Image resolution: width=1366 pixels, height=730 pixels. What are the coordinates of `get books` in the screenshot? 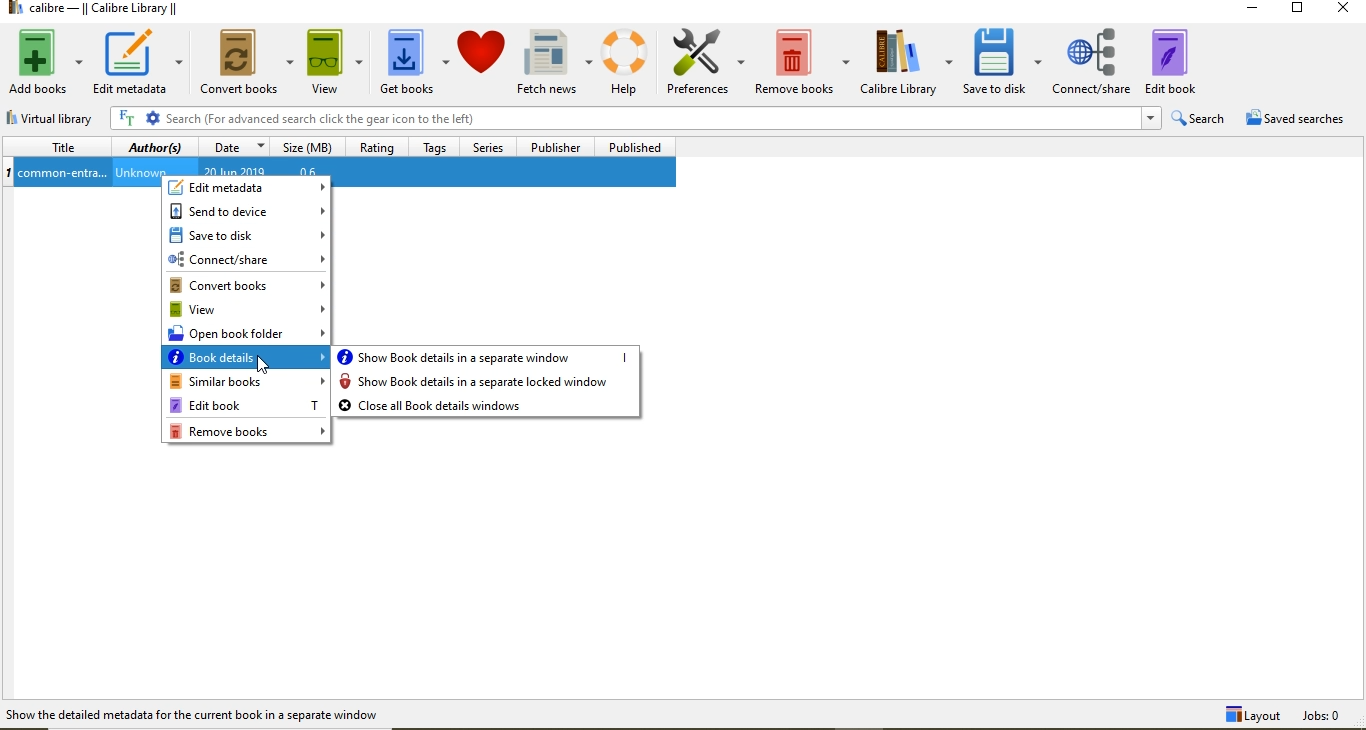 It's located at (414, 61).